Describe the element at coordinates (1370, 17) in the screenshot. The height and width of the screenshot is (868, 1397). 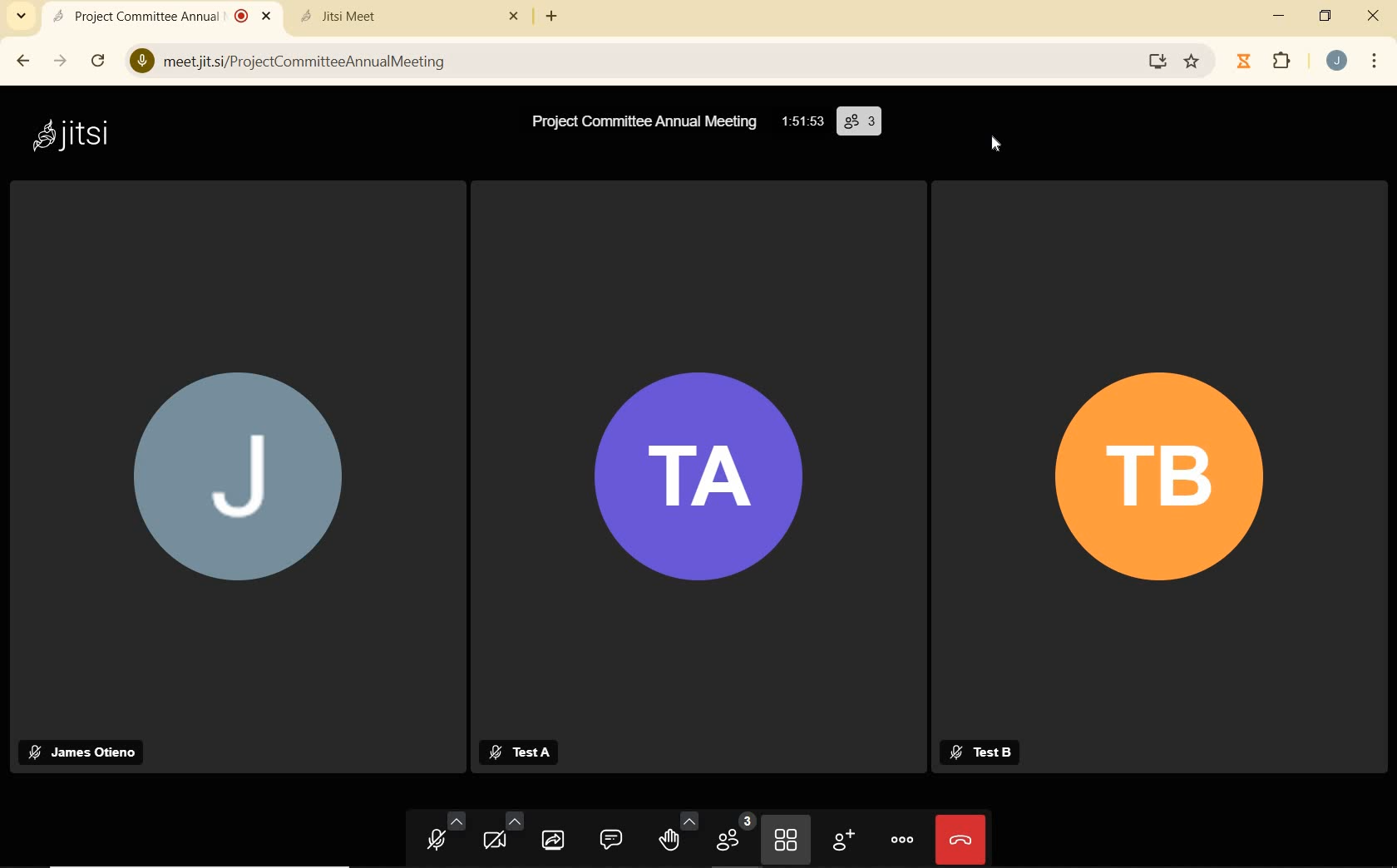
I see `close` at that location.